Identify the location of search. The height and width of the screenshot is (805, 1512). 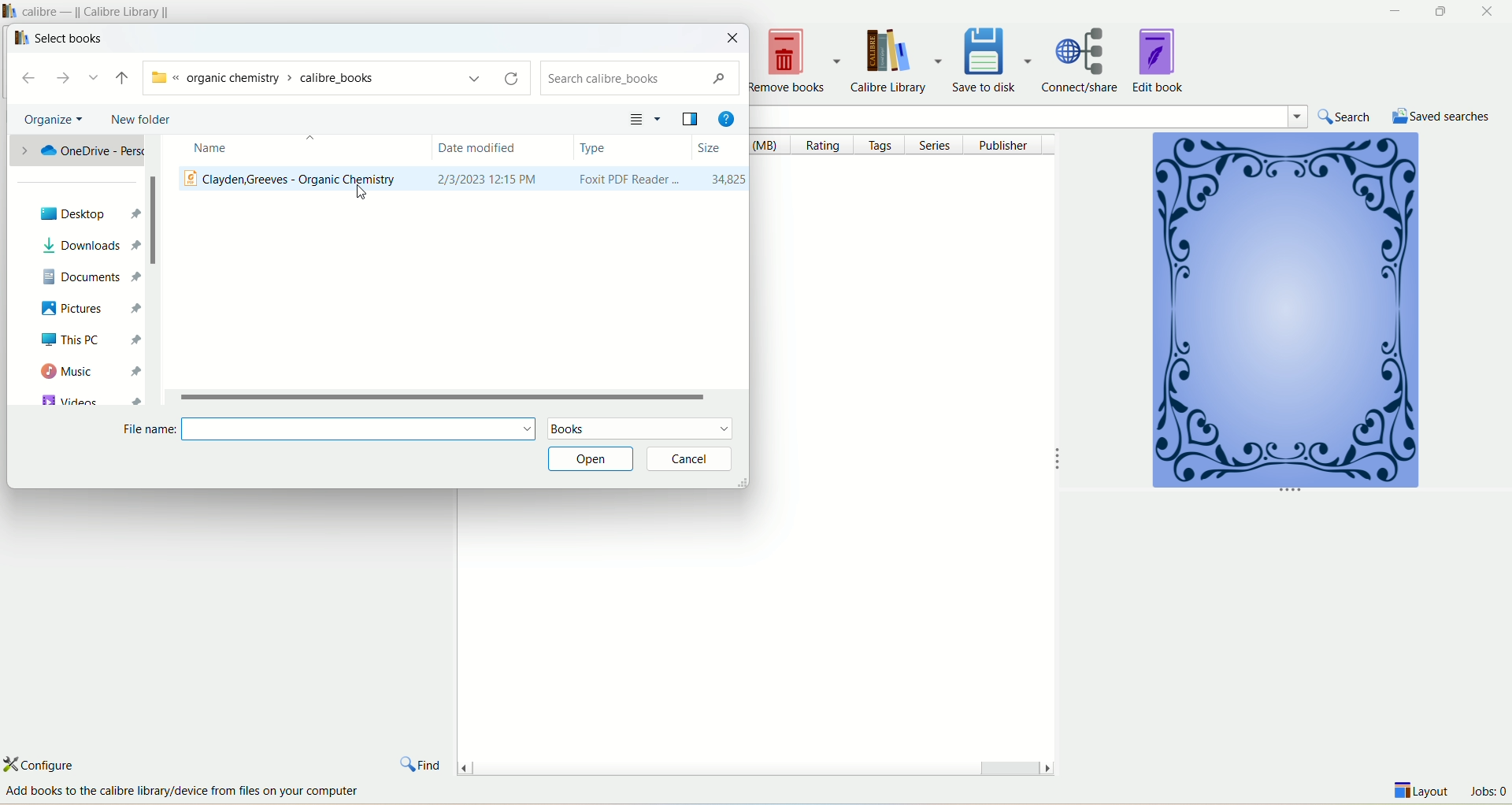
(1065, 115).